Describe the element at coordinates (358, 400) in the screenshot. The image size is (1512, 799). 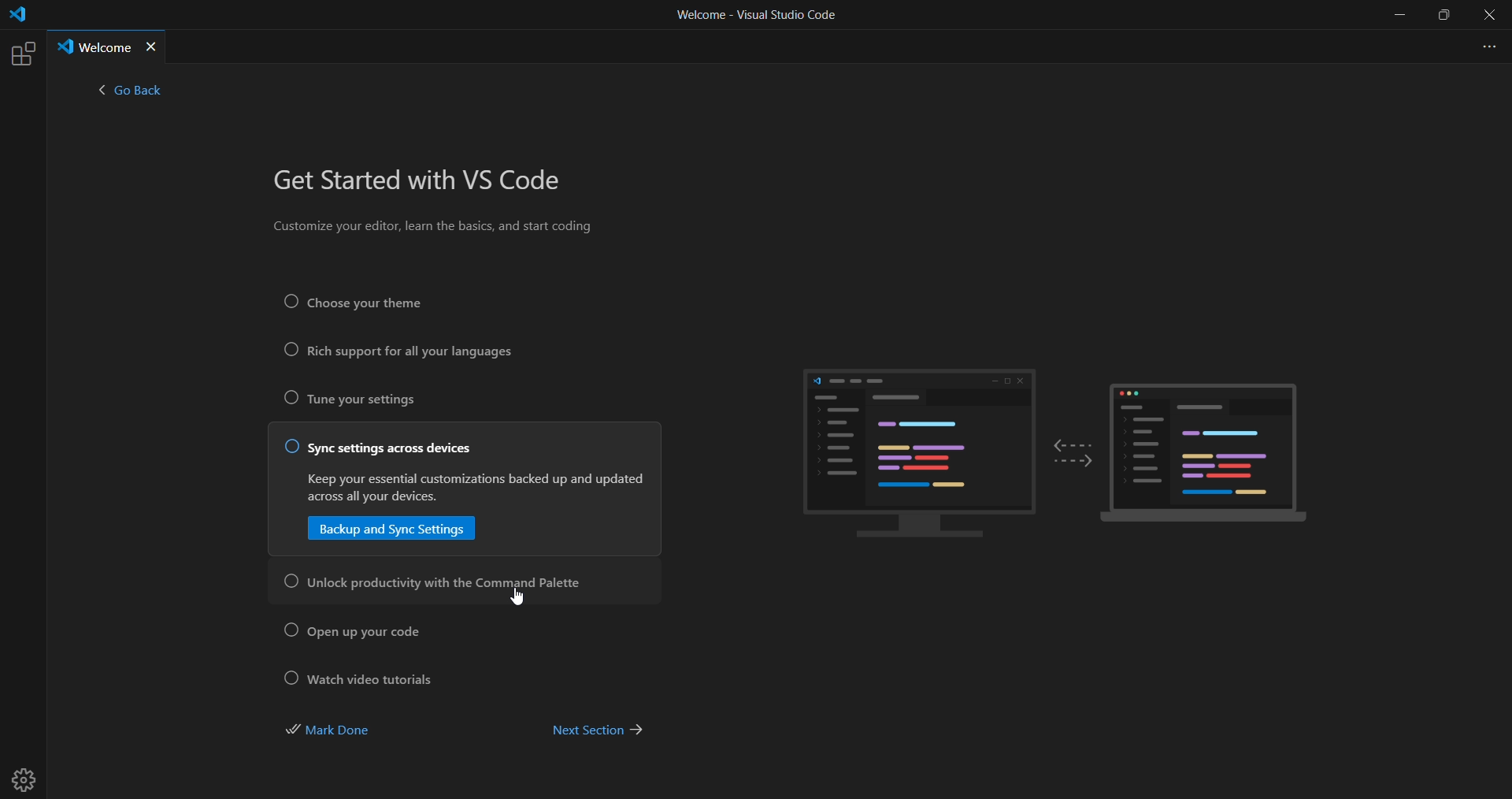
I see `tune your settings` at that location.